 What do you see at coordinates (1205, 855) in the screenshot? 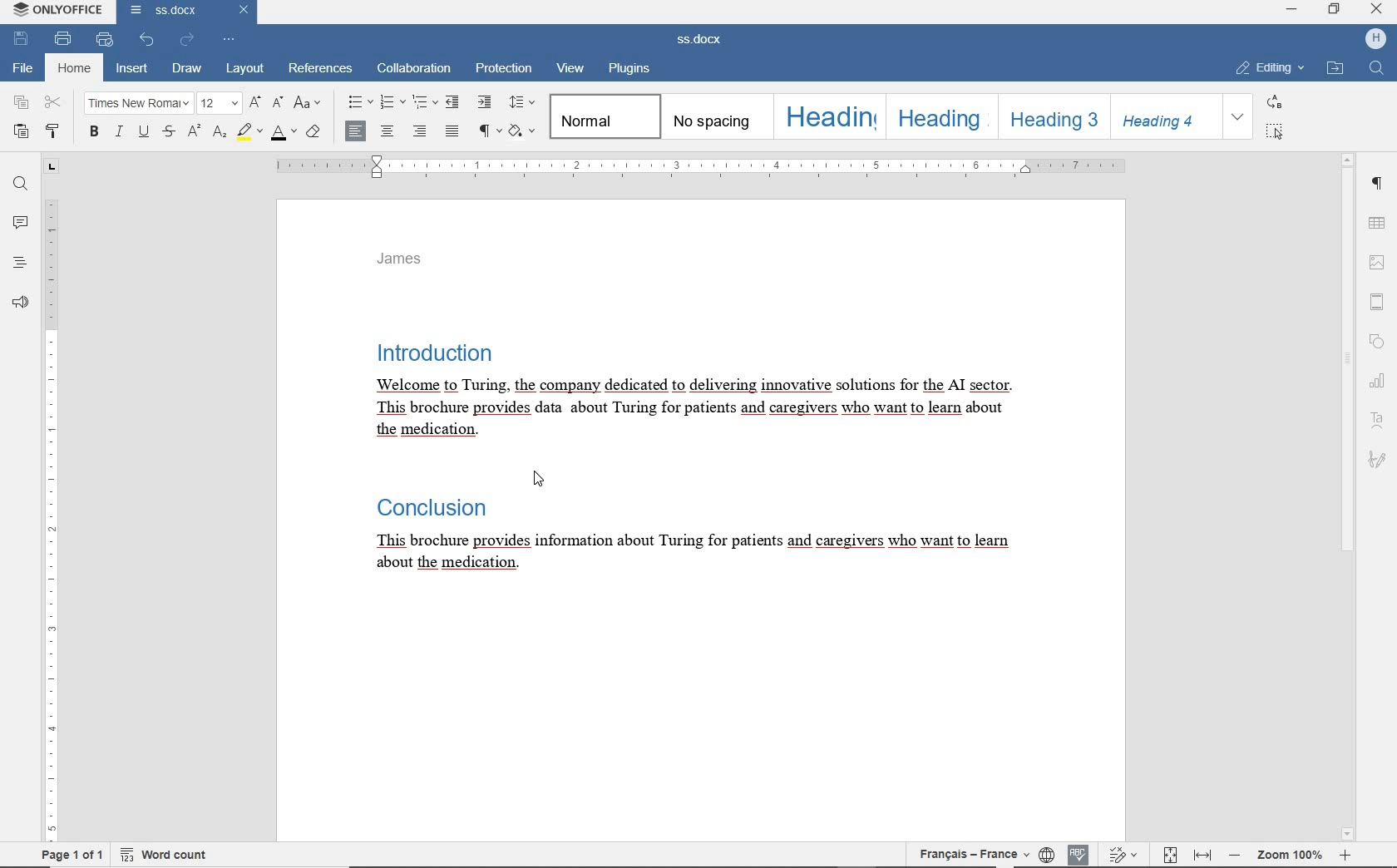
I see `fit to width` at bounding box center [1205, 855].